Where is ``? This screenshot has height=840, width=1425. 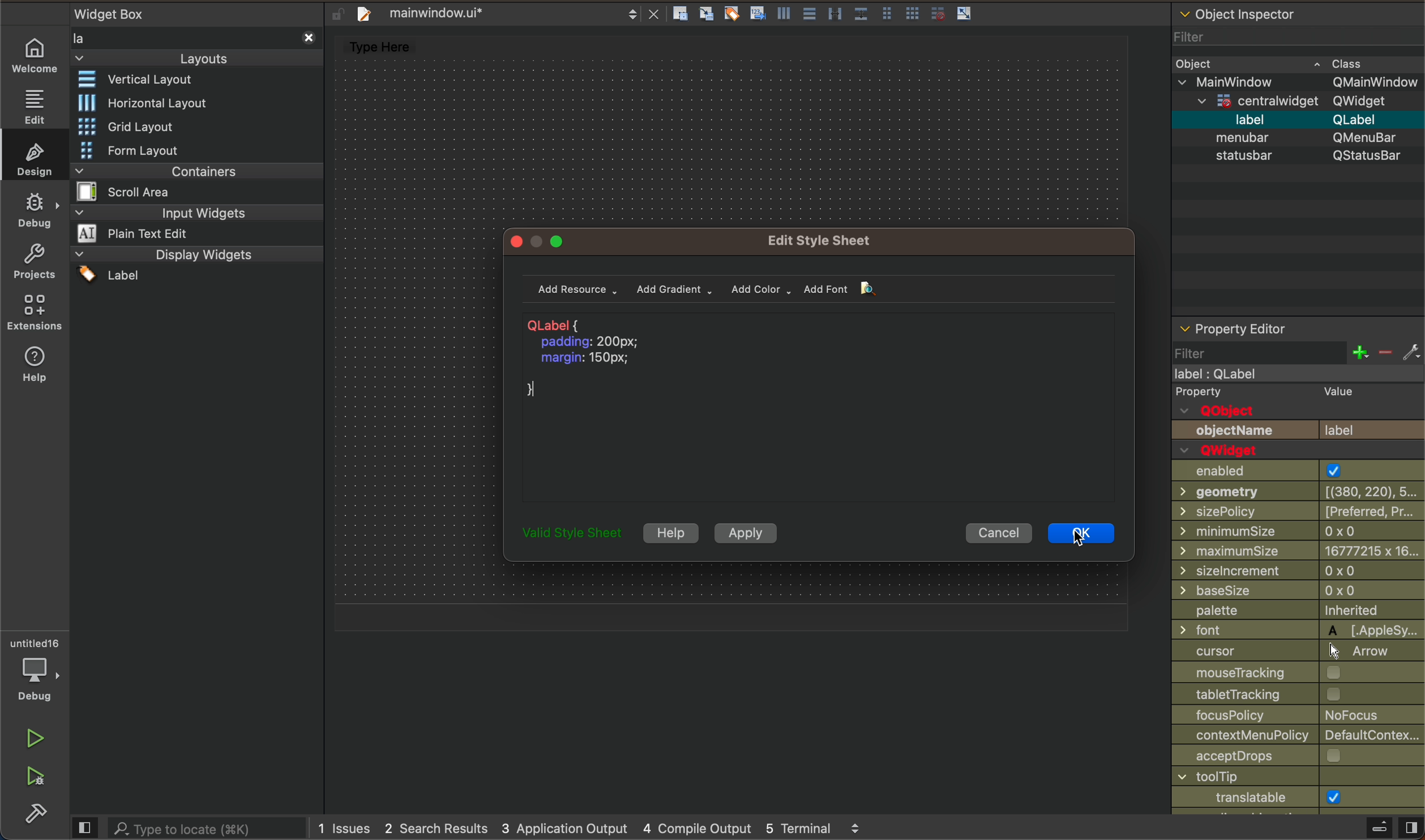  is located at coordinates (1296, 629).